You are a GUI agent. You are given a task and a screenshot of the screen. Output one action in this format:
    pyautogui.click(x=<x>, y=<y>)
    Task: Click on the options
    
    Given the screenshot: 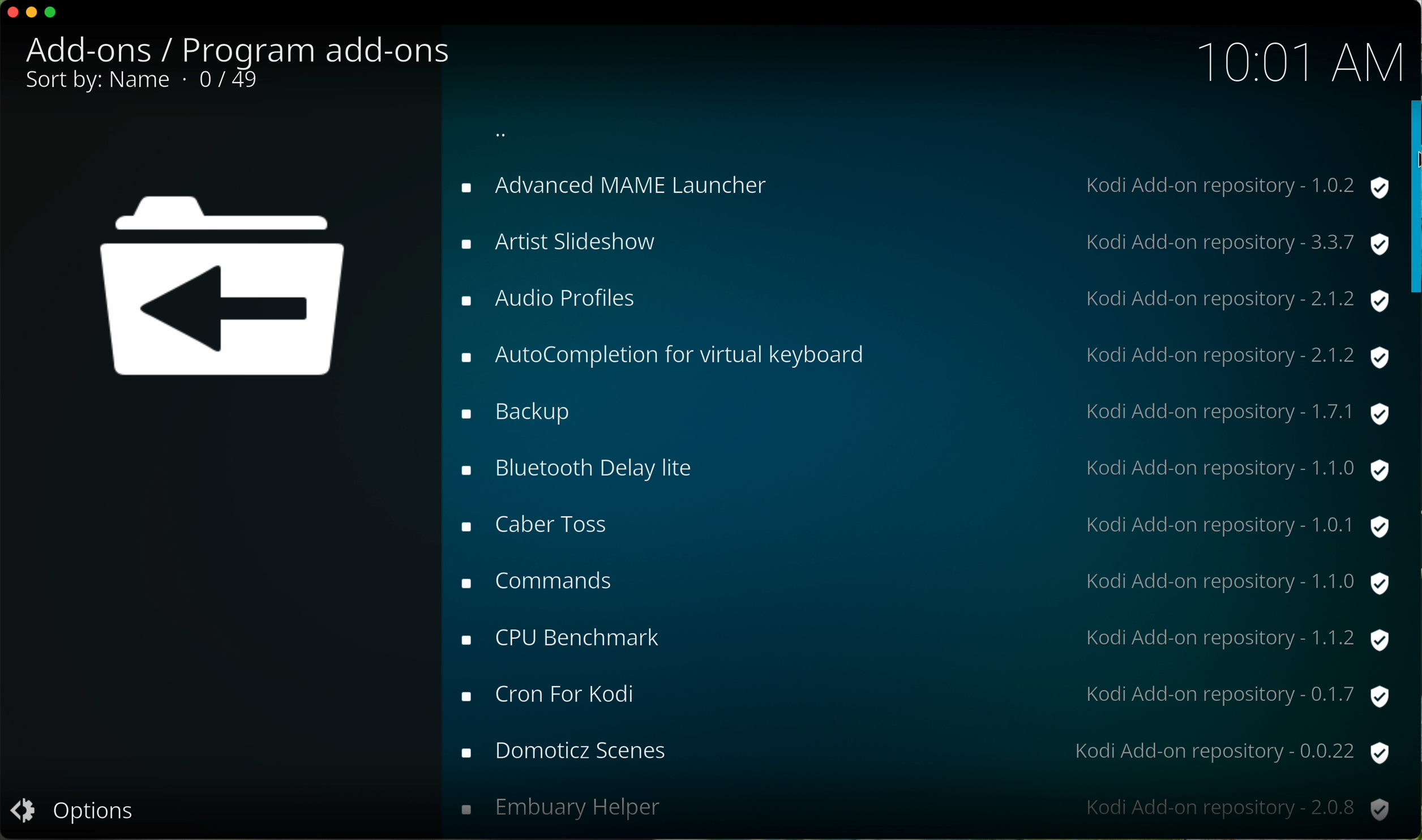 What is the action you would take?
    pyautogui.click(x=75, y=811)
    